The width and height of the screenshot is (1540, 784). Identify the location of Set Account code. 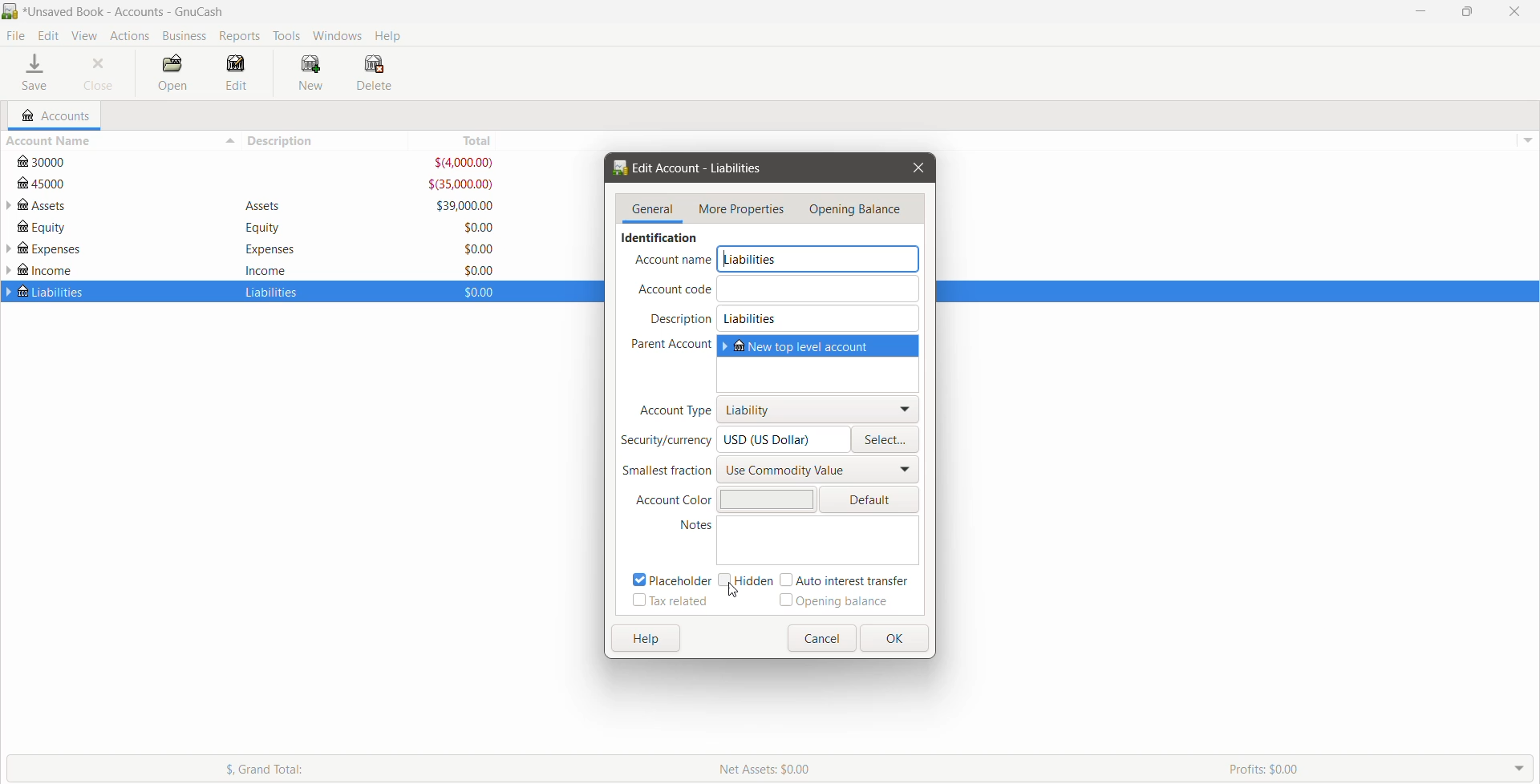
(820, 288).